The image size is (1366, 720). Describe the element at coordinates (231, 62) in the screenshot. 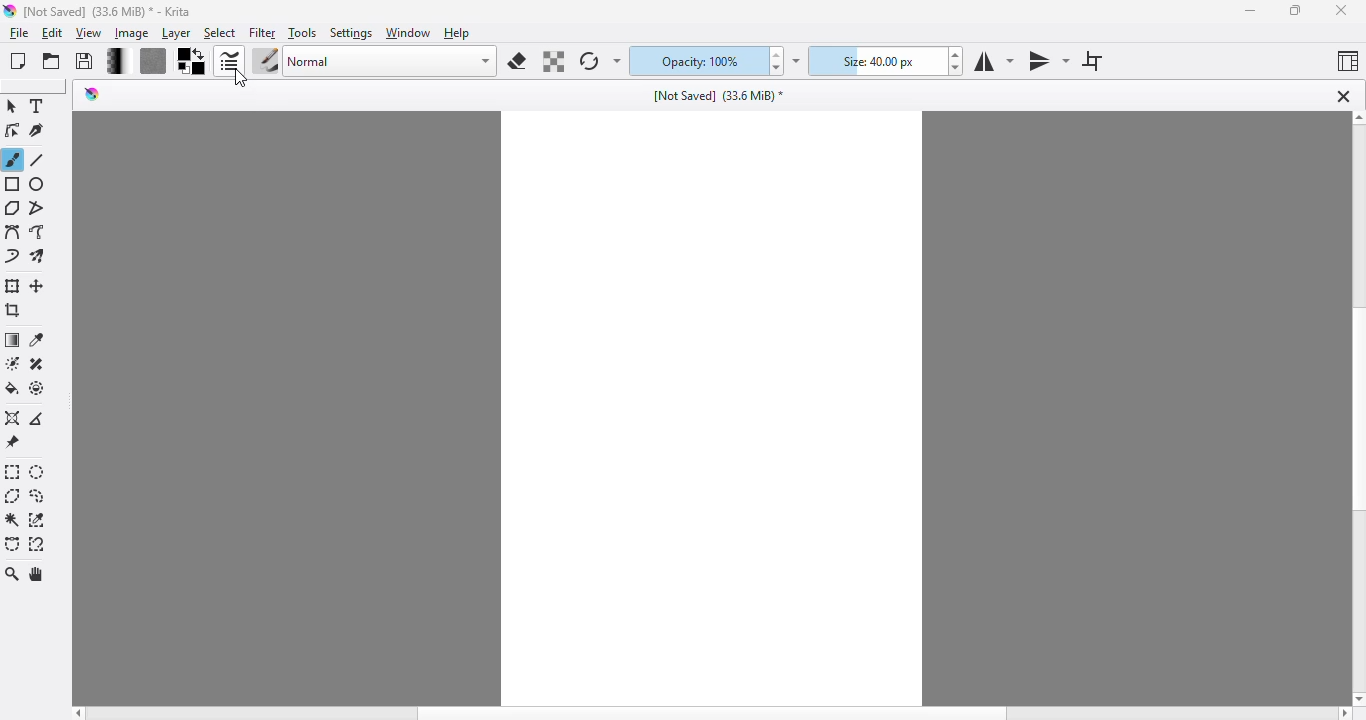

I see `edit brush settings` at that location.